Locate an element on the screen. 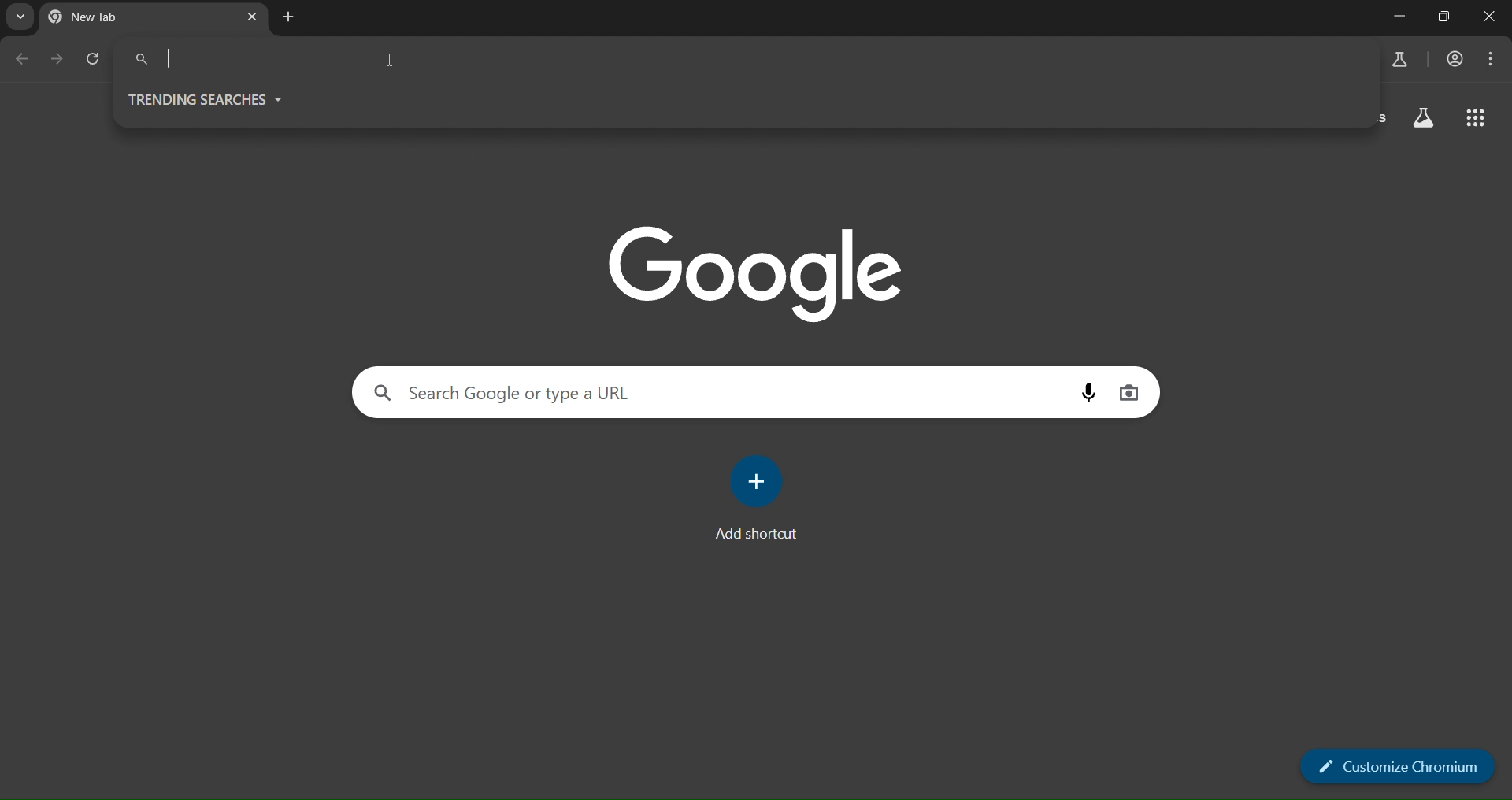  minimize is located at coordinates (1392, 17).